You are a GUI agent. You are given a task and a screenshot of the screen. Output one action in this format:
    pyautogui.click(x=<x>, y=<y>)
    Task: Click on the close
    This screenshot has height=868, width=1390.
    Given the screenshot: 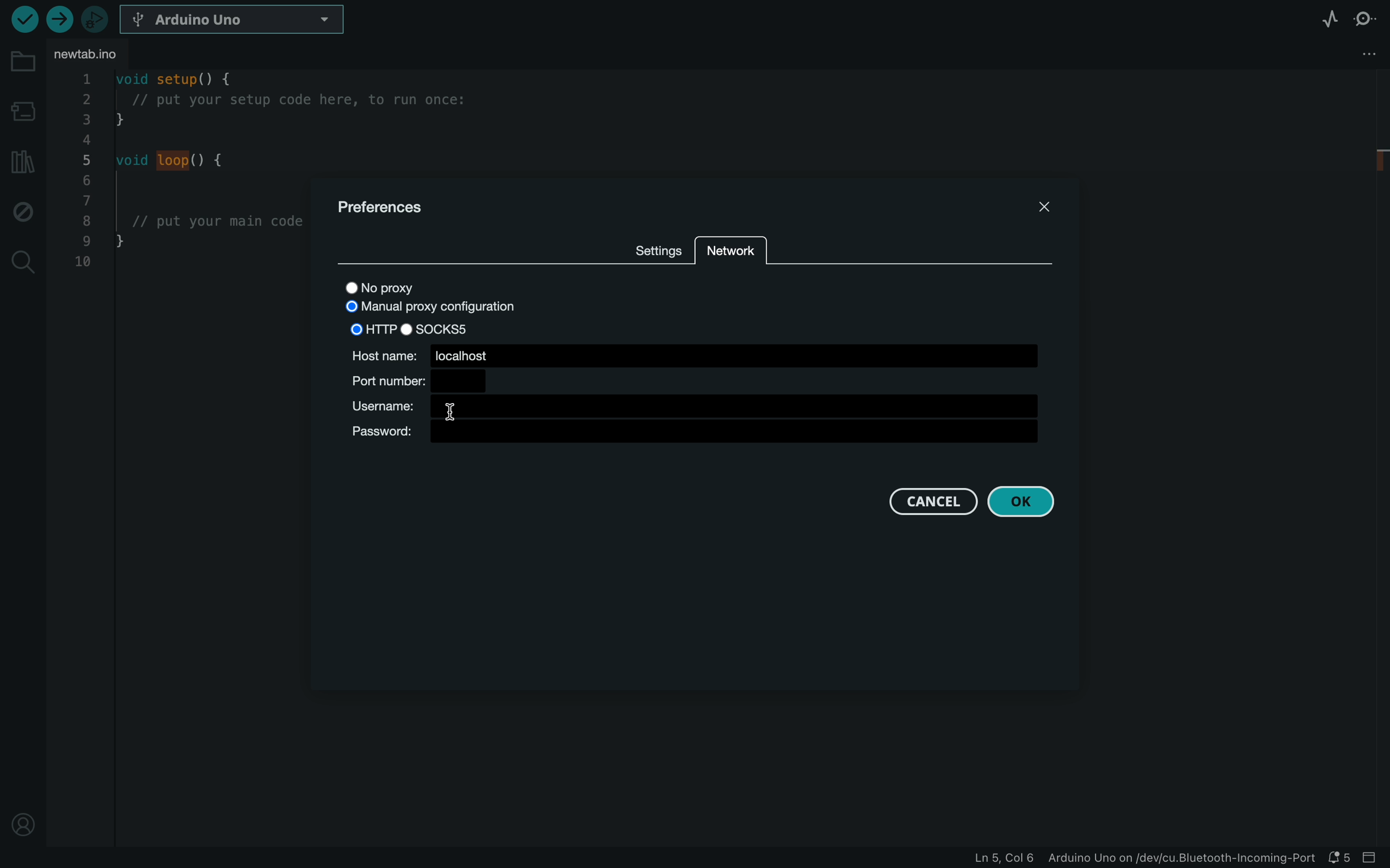 What is the action you would take?
    pyautogui.click(x=1045, y=204)
    